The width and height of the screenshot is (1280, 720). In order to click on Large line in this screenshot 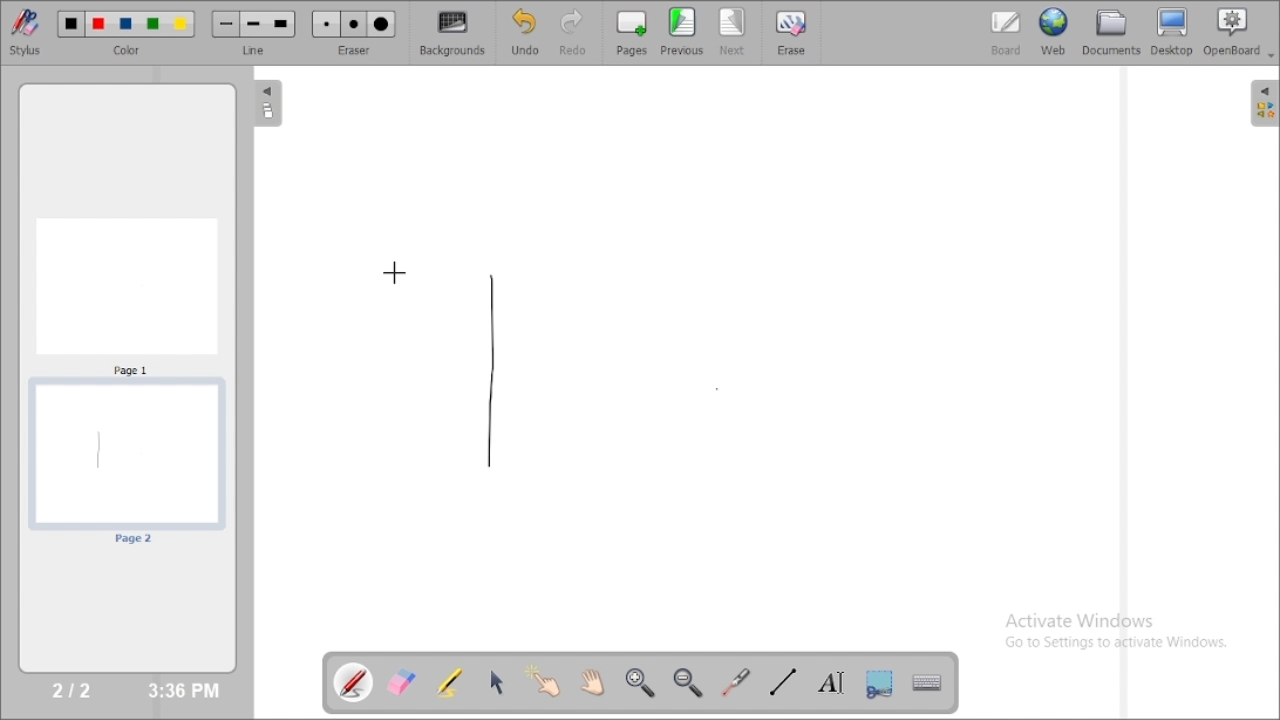, I will do `click(282, 25)`.